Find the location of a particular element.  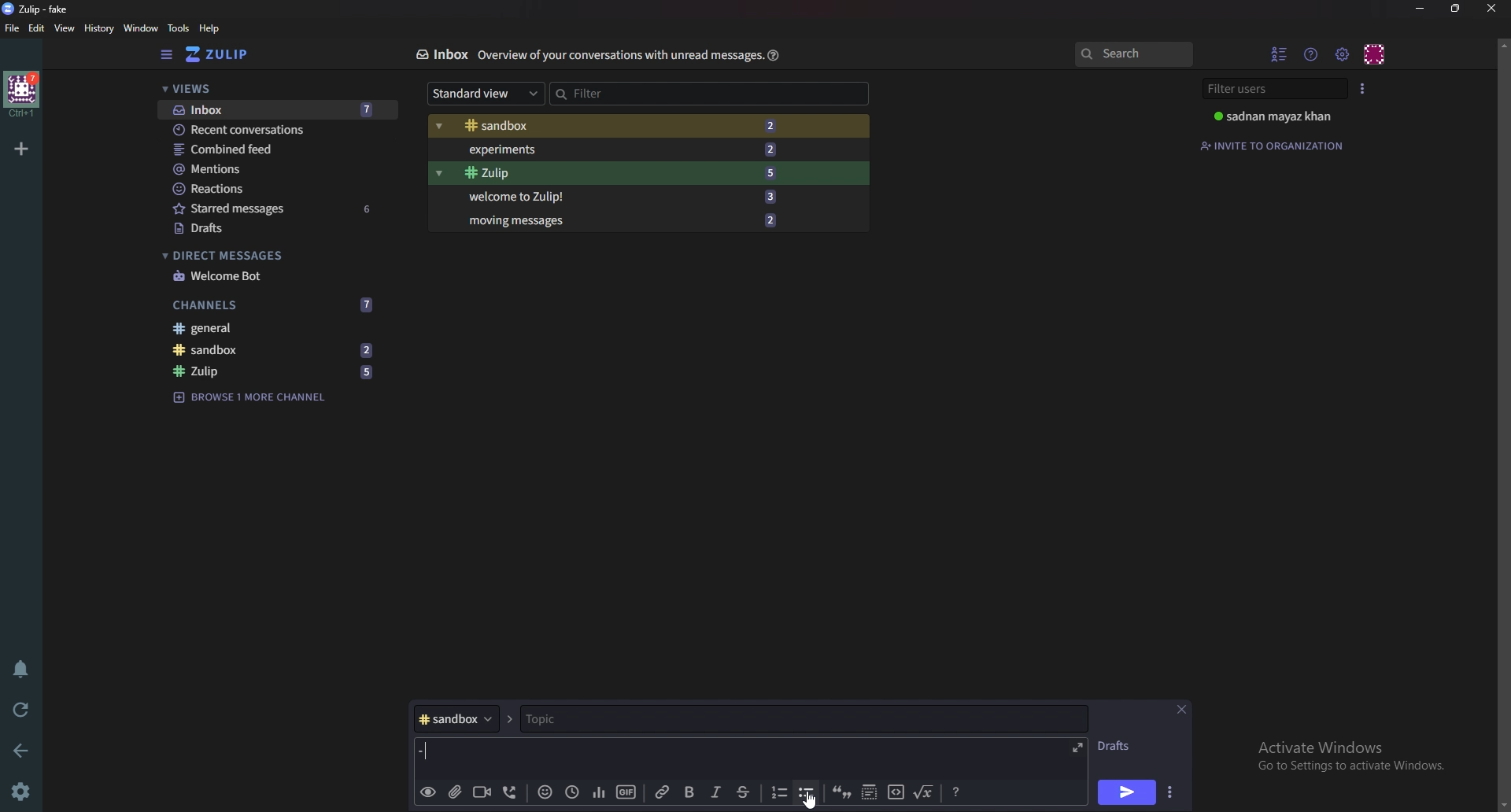

User is located at coordinates (1281, 116).